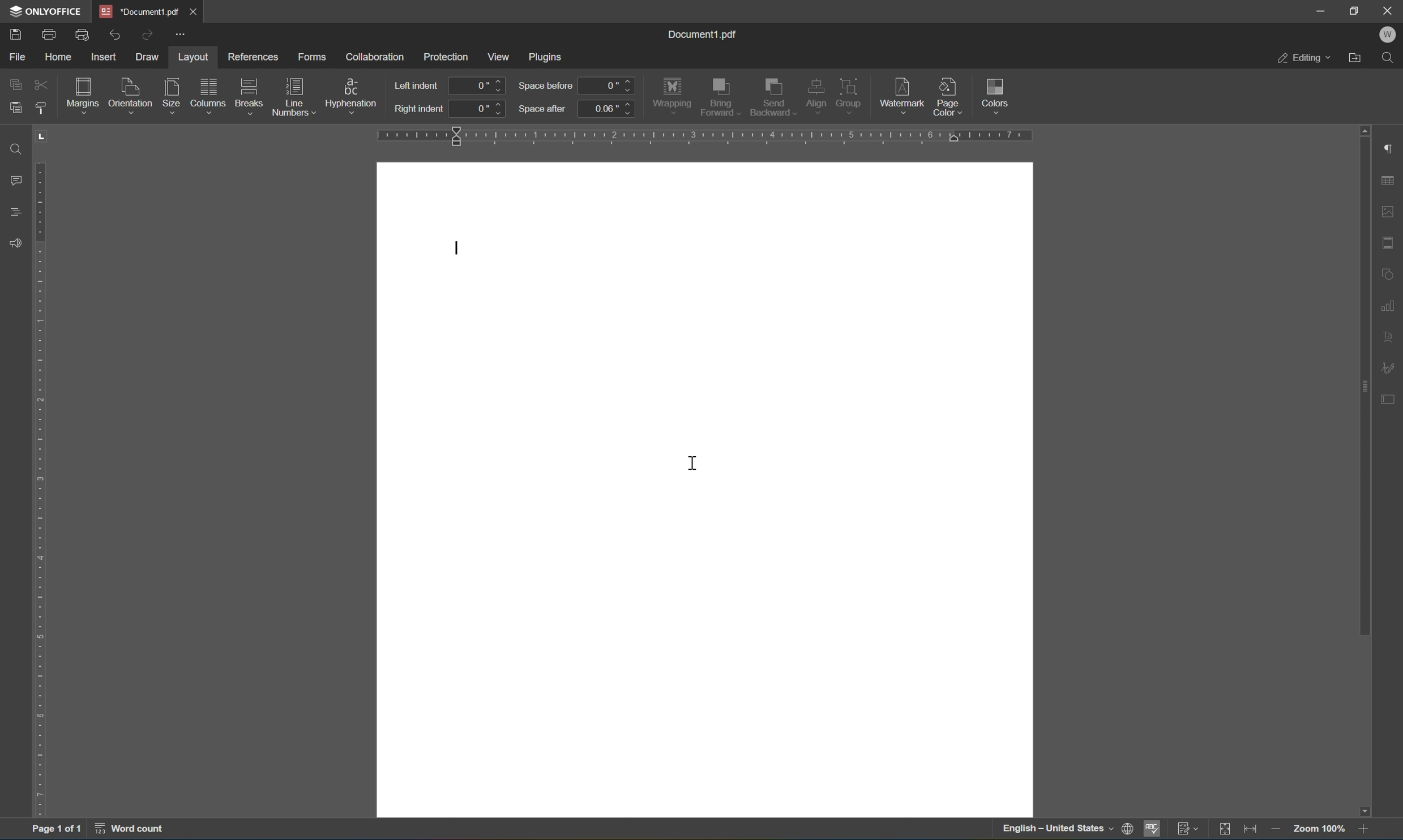 This screenshot has height=840, width=1403. I want to click on layout, so click(192, 55).